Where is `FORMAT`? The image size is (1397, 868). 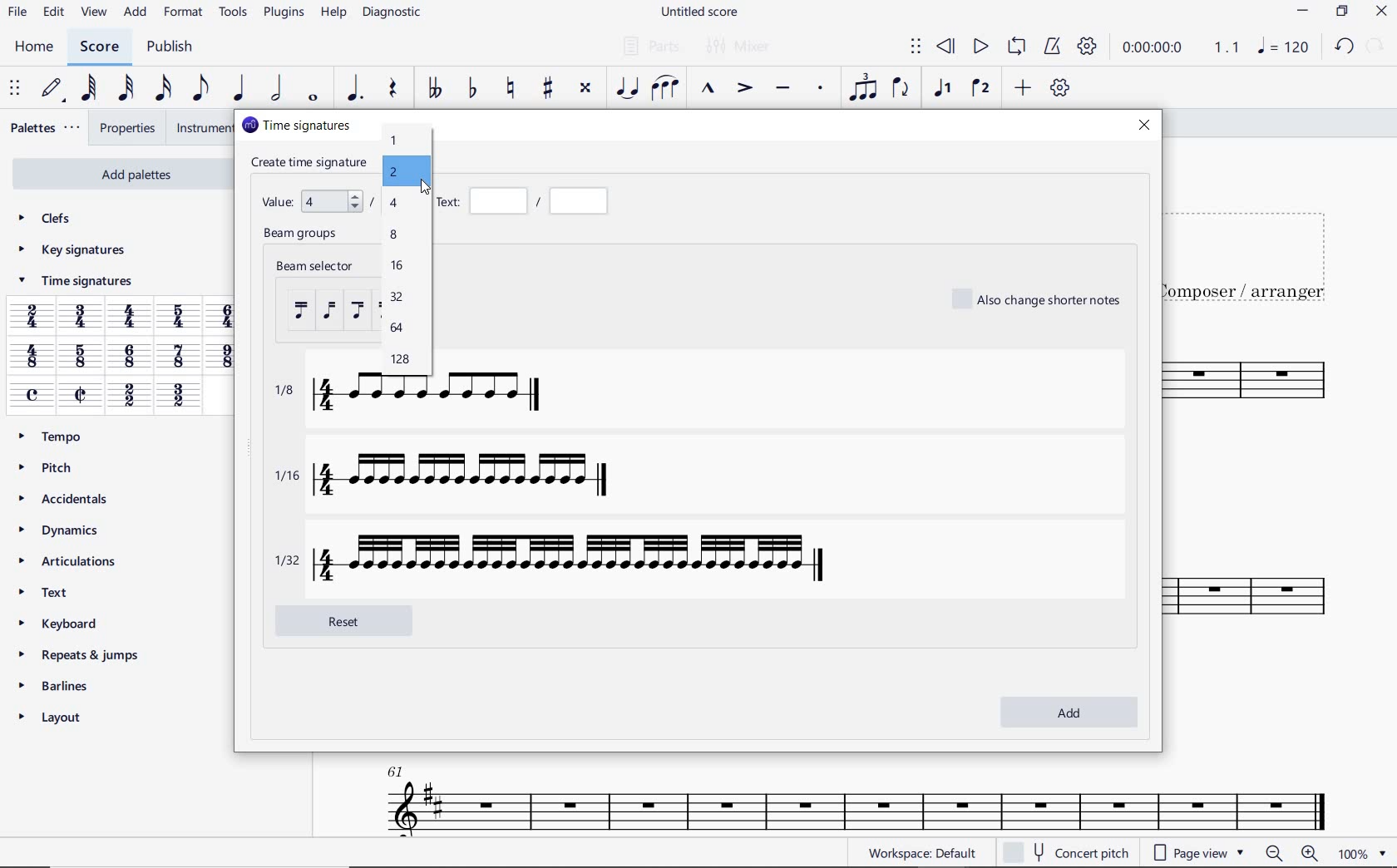
FORMAT is located at coordinates (183, 12).